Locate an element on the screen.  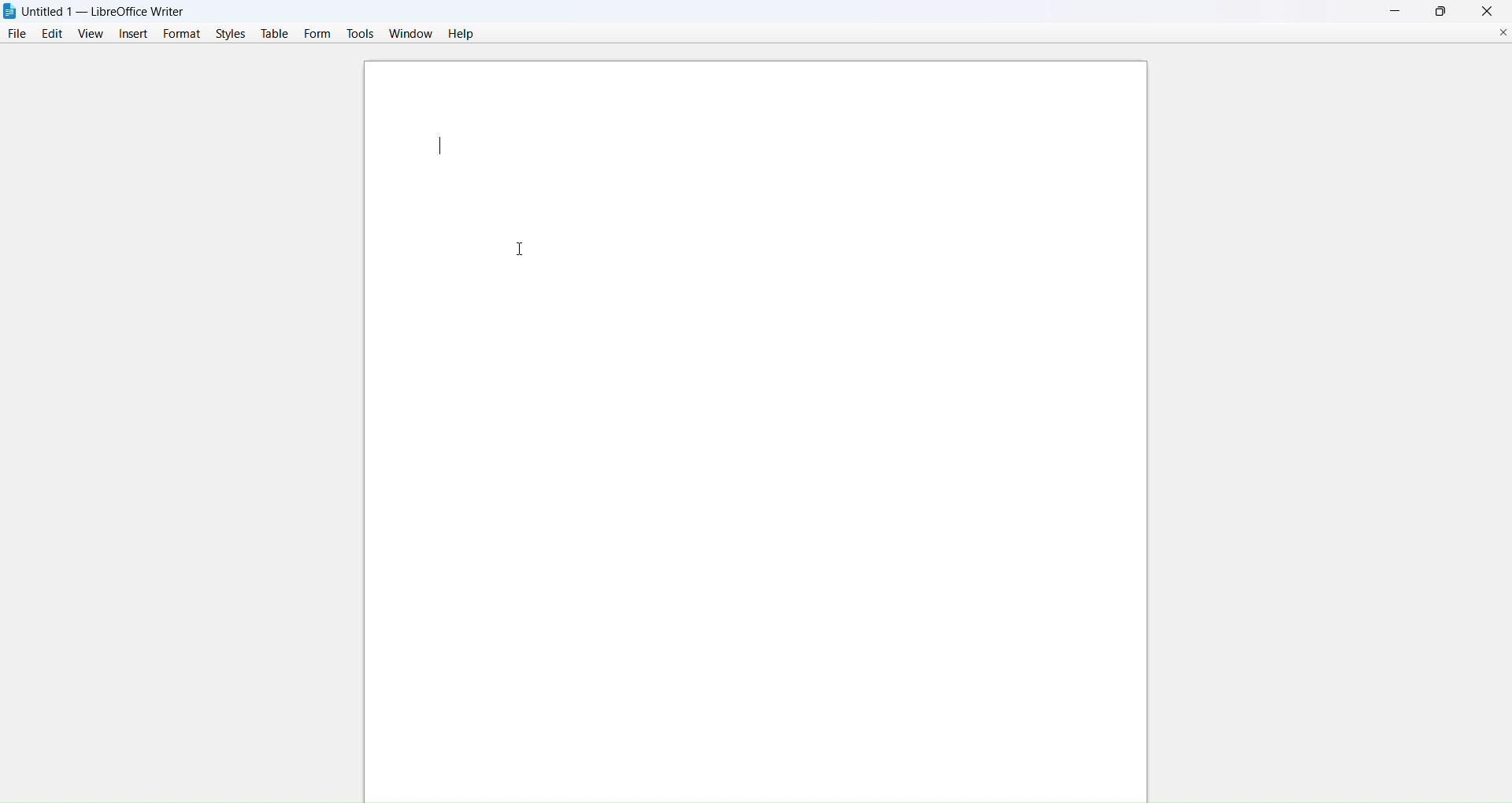
table is located at coordinates (276, 33).